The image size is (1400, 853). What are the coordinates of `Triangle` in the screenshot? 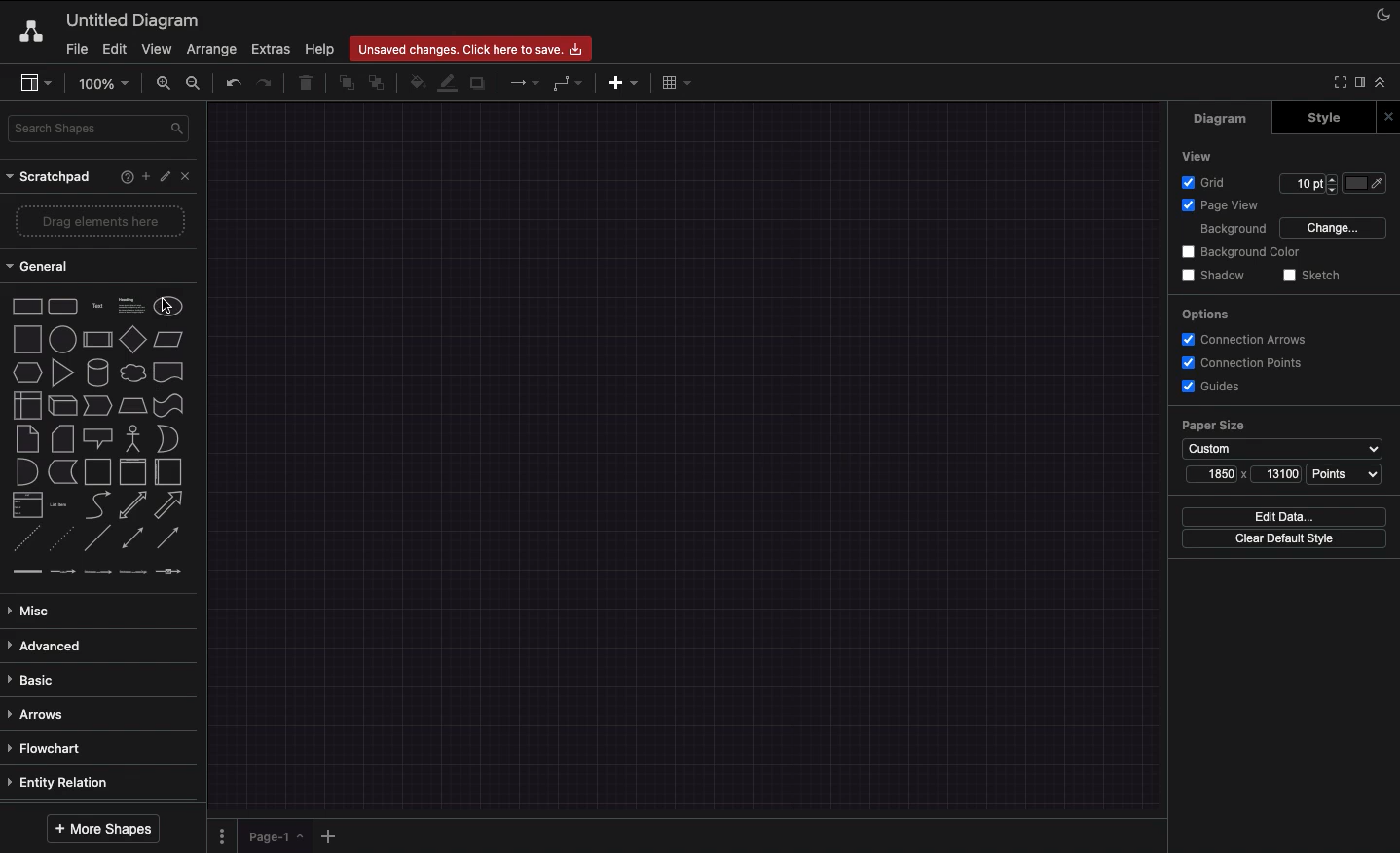 It's located at (62, 372).